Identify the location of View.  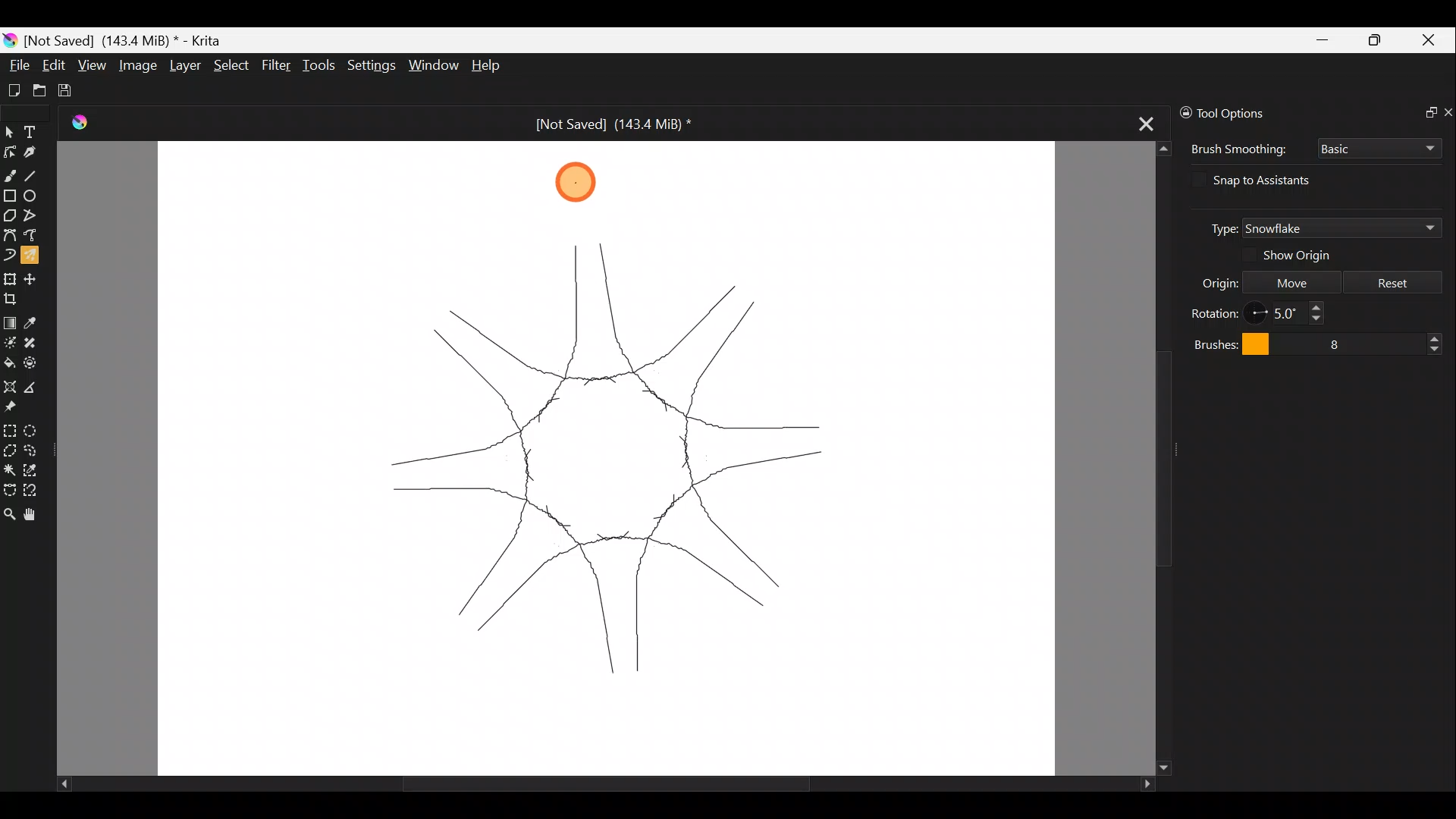
(92, 65).